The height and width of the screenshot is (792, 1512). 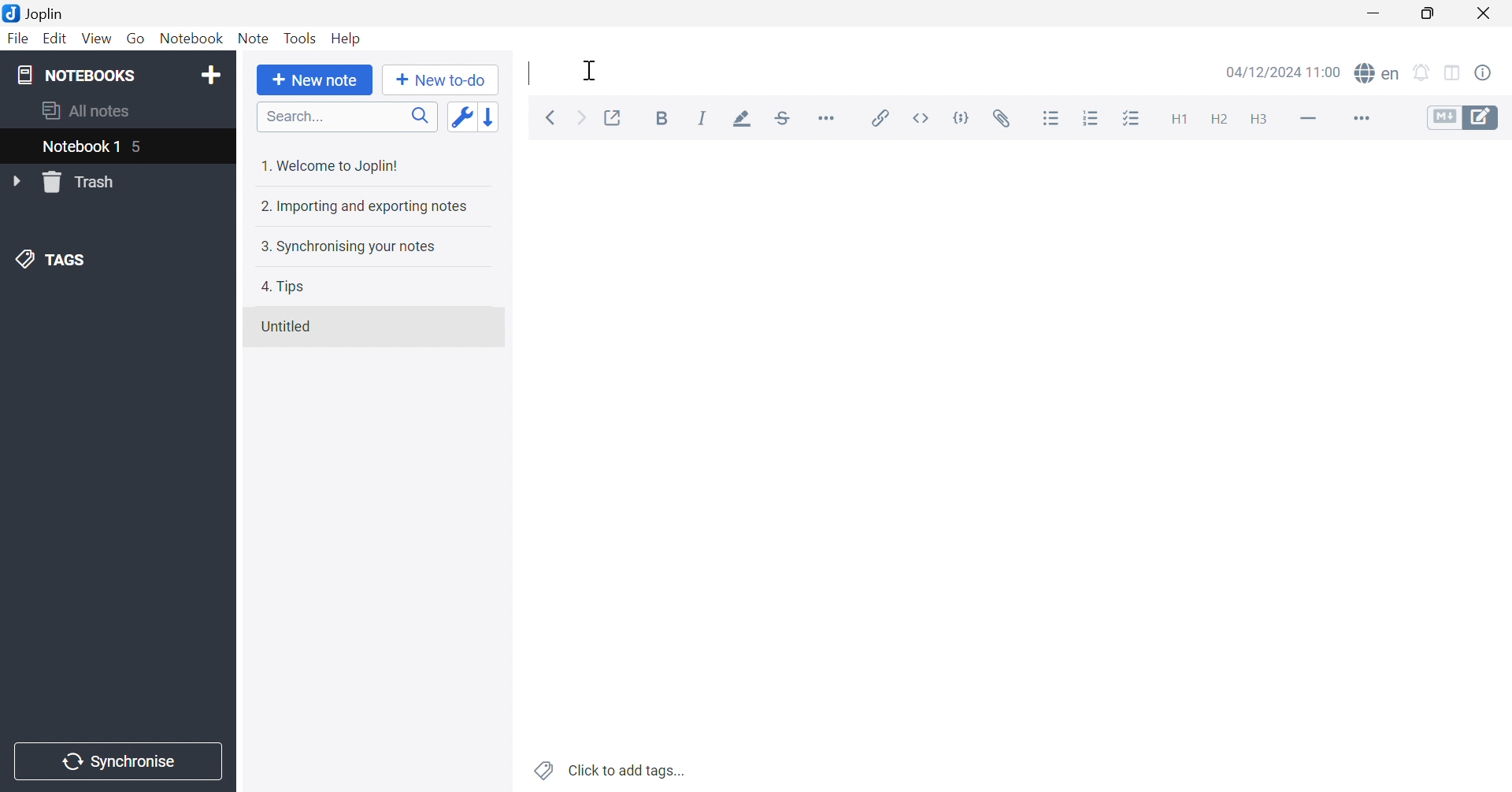 What do you see at coordinates (20, 182) in the screenshot?
I see `Drop Down` at bounding box center [20, 182].